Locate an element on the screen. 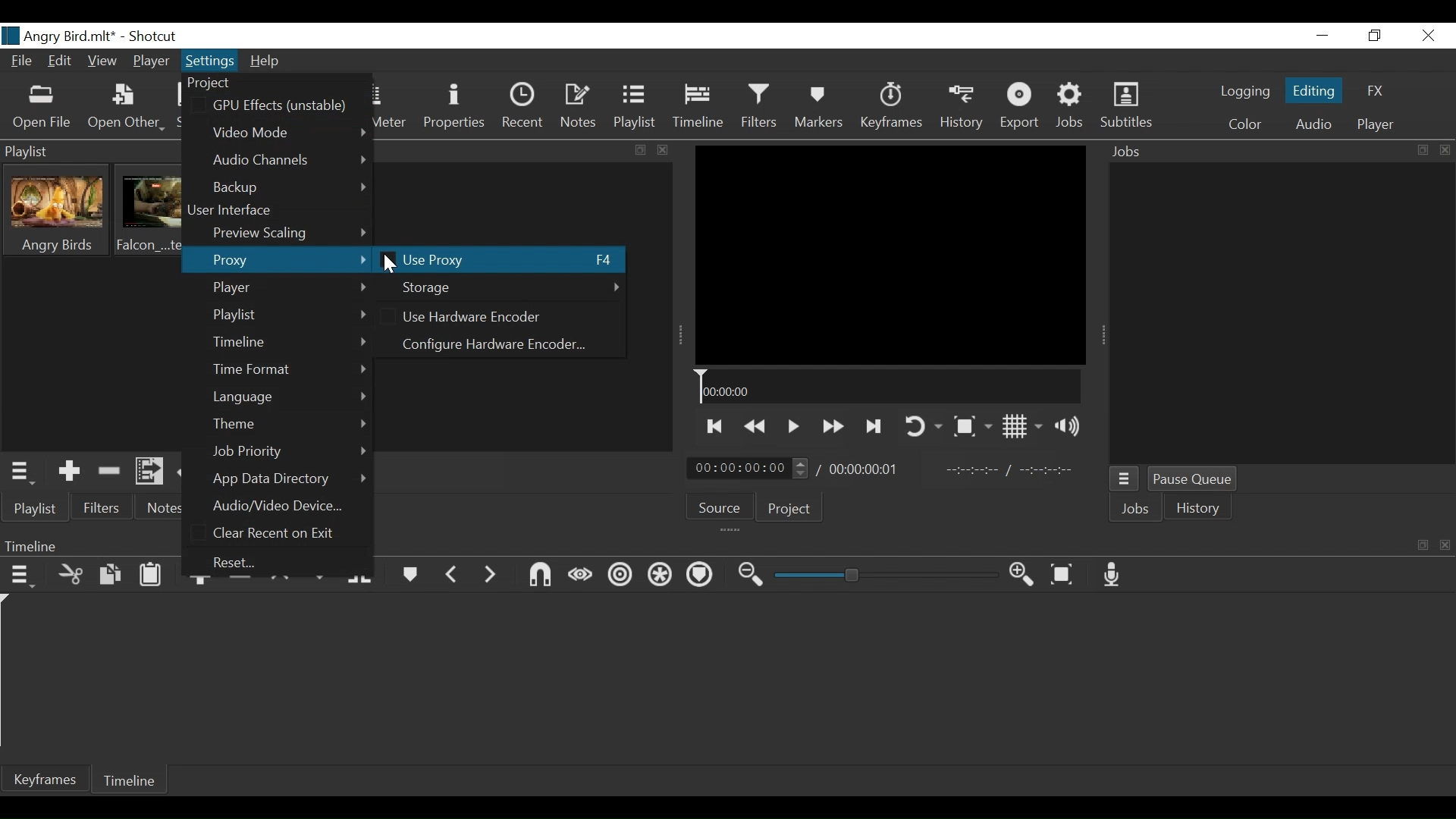 The height and width of the screenshot is (819, 1456). Play backward quickly is located at coordinates (756, 426).